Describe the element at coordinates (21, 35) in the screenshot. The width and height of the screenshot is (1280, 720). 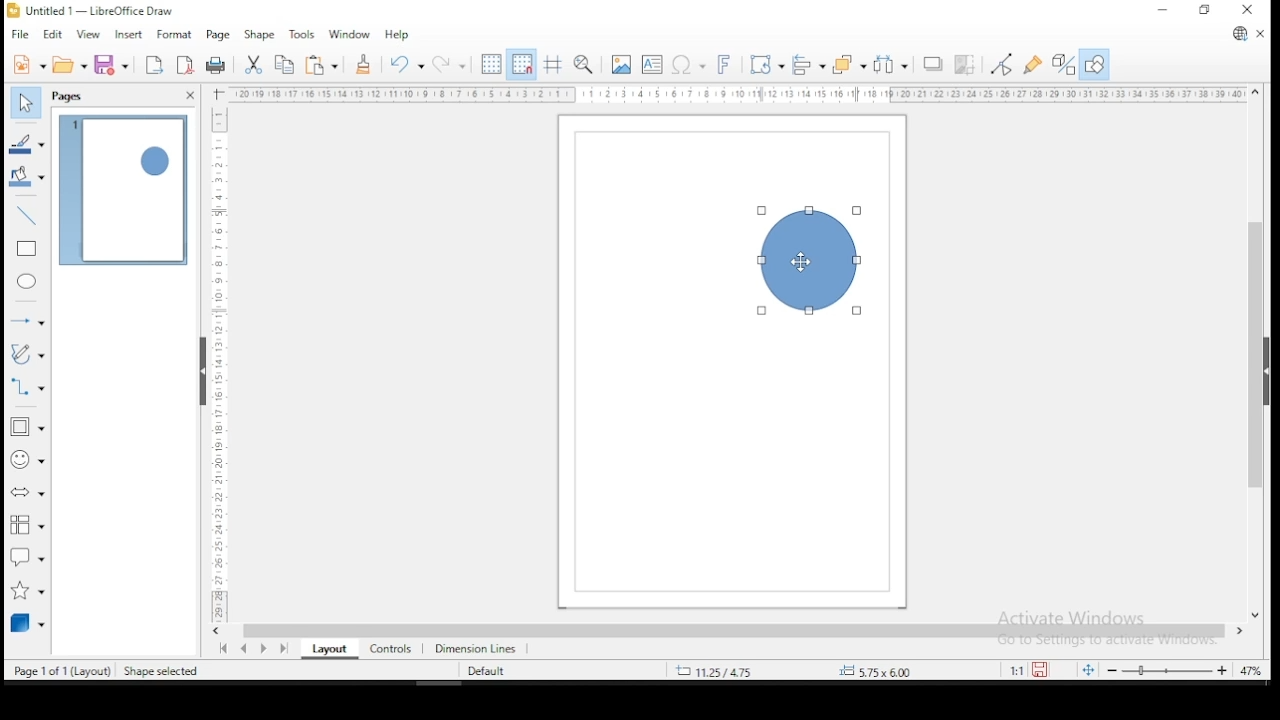
I see `file` at that location.